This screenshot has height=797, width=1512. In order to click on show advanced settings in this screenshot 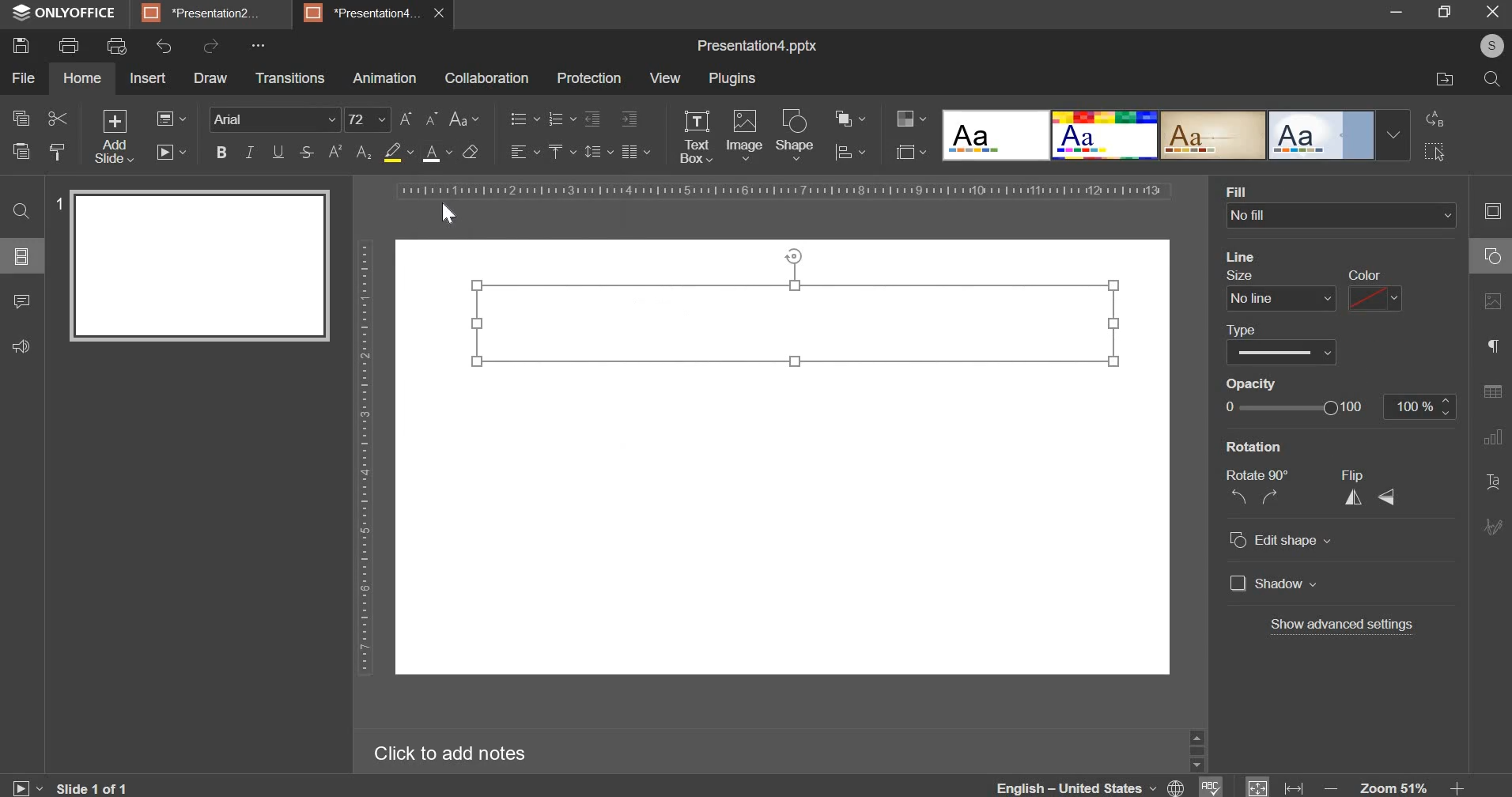, I will do `click(1340, 625)`.